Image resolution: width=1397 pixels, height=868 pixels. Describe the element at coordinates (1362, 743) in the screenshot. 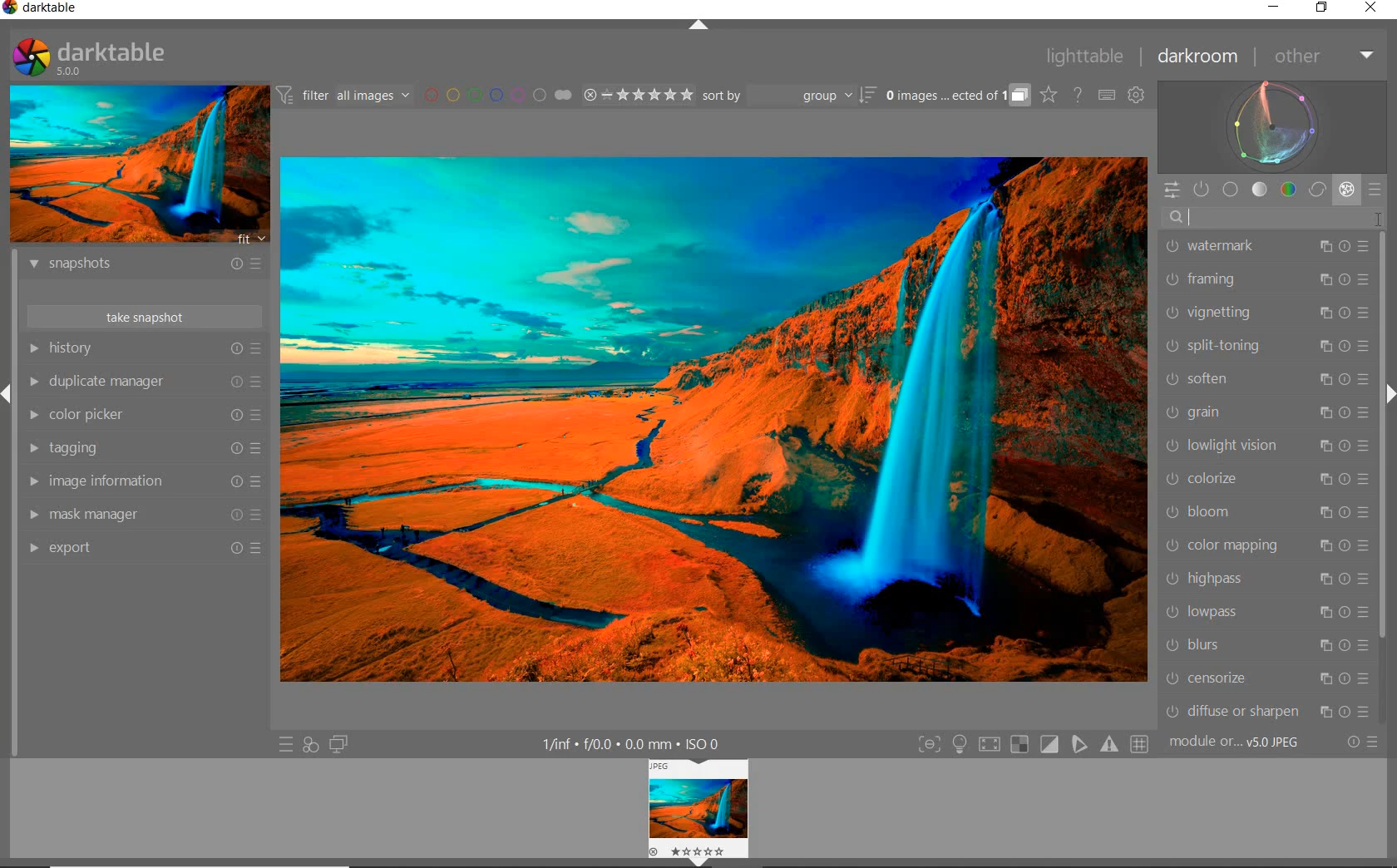

I see `RESET OR PRESETS & PREFERENCES` at that location.